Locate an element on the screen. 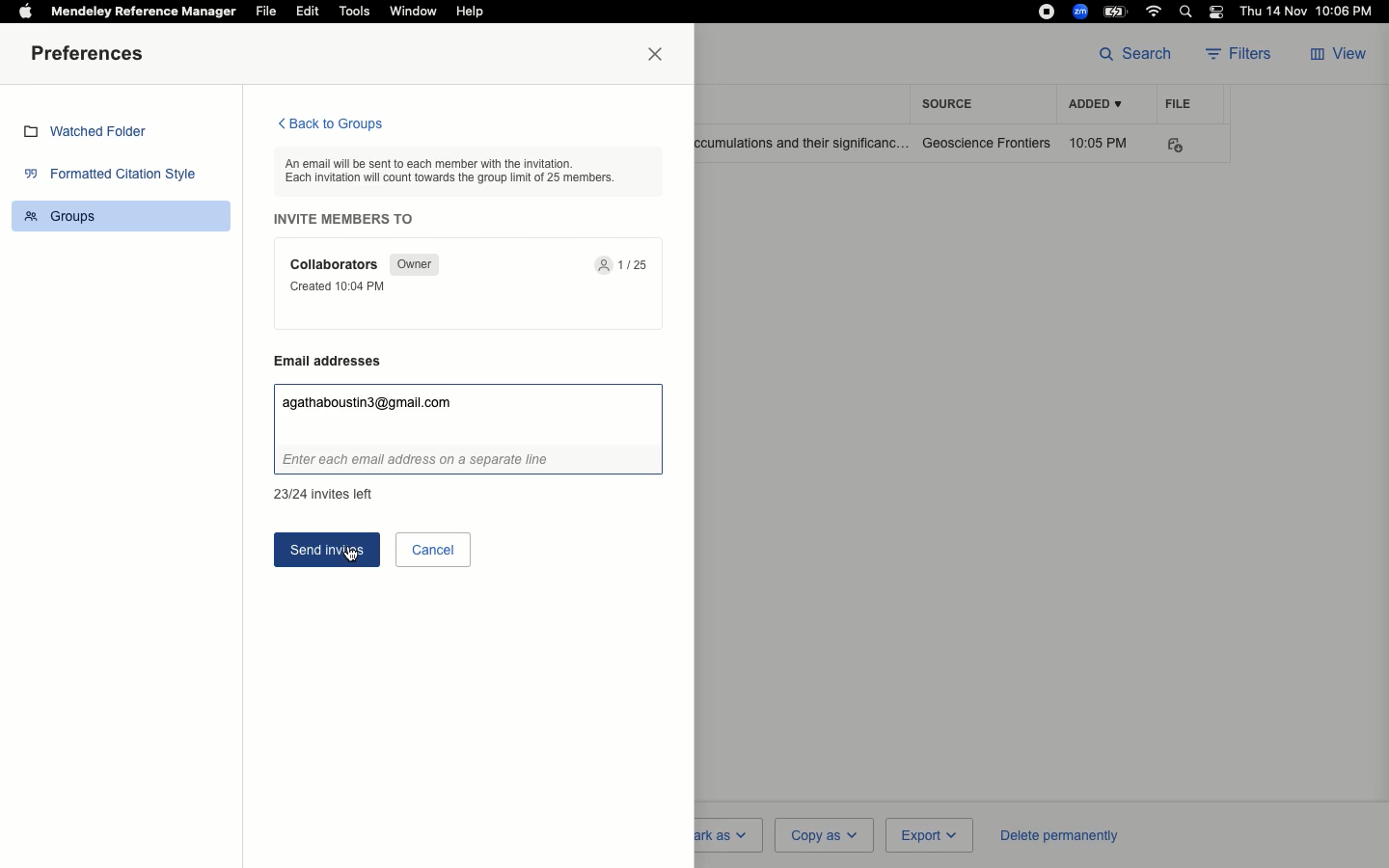 The height and width of the screenshot is (868, 1389). Date/time is located at coordinates (1311, 12).